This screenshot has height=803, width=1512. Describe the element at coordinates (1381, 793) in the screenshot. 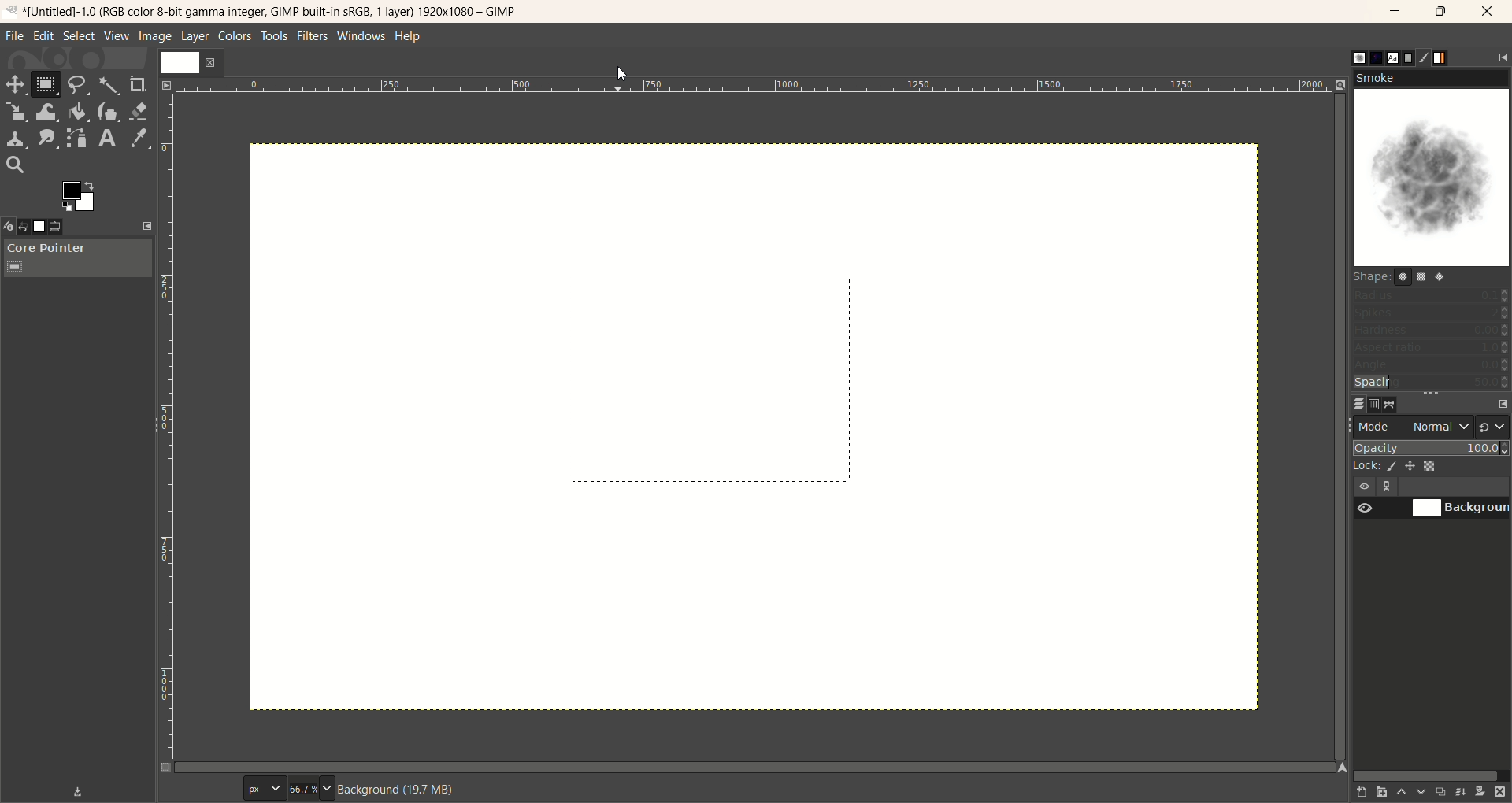

I see `create a new layer` at that location.